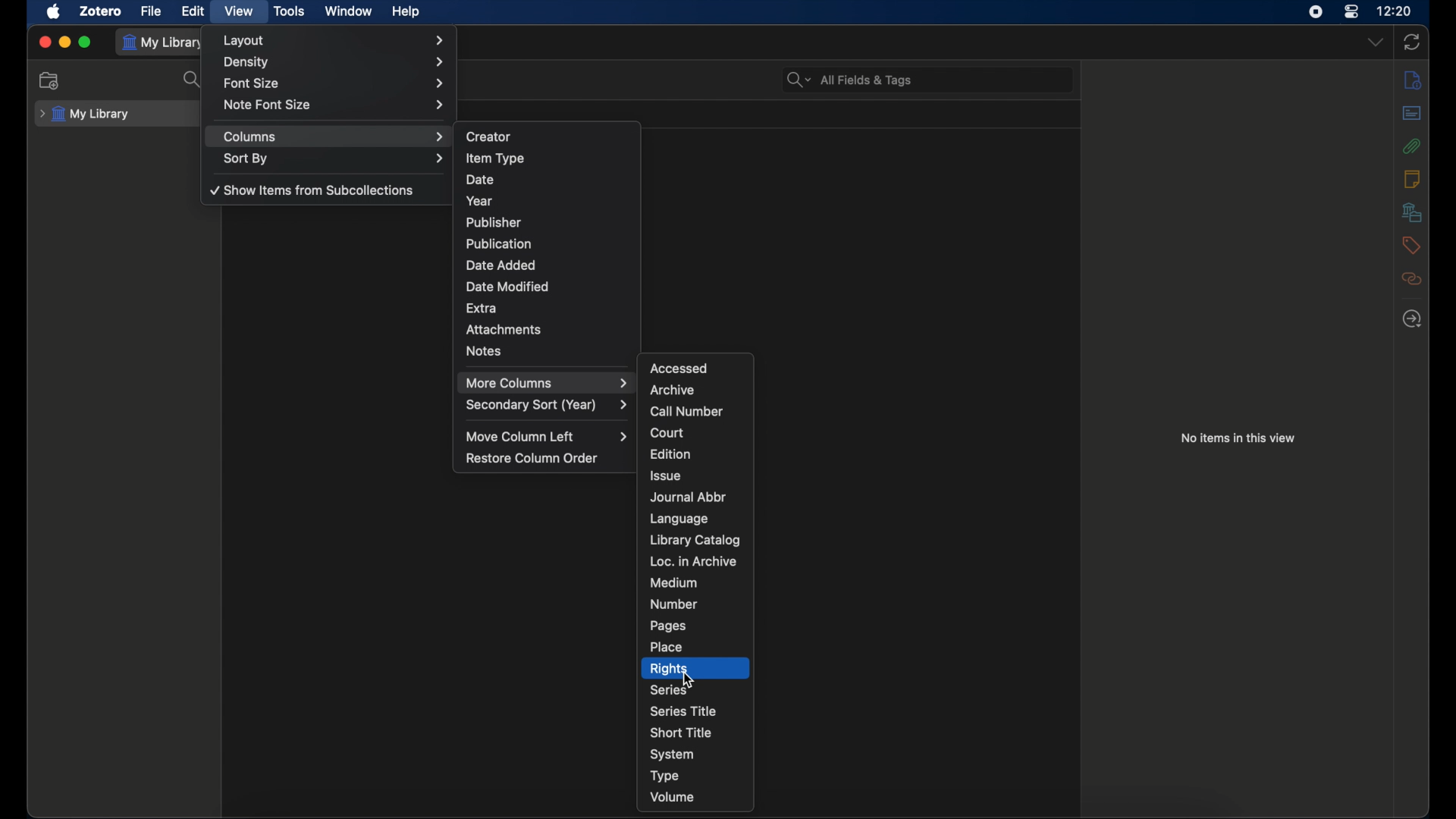  Describe the element at coordinates (673, 755) in the screenshot. I see `system` at that location.